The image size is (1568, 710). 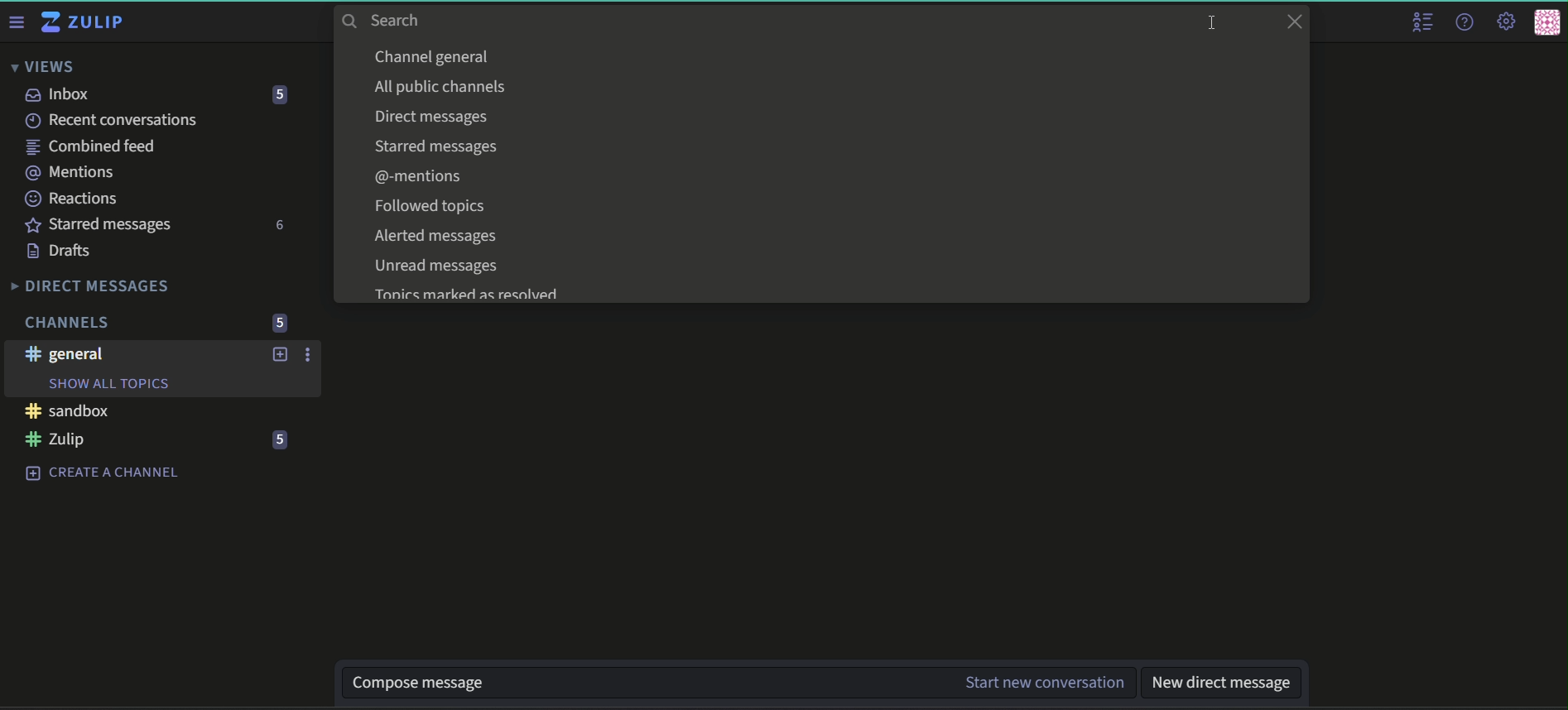 I want to click on text, so click(x=423, y=176).